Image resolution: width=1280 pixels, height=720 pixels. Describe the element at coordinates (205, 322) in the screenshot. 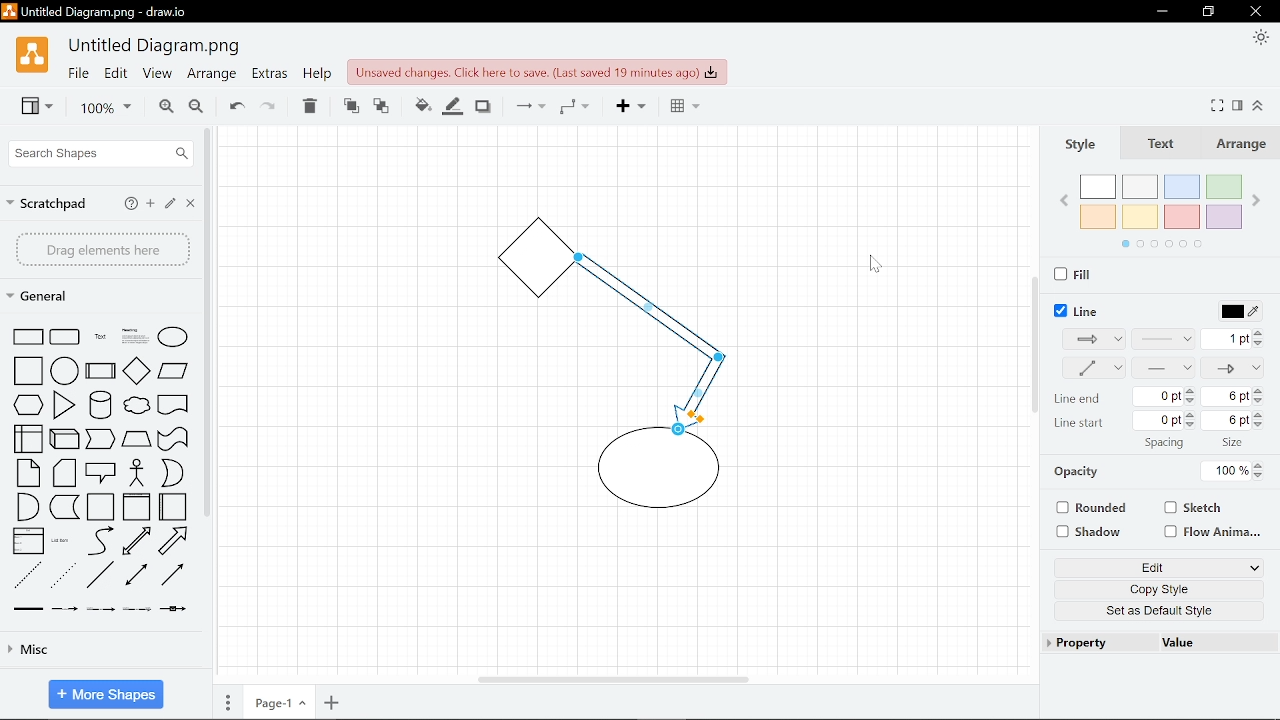

I see `scroll bar` at that location.